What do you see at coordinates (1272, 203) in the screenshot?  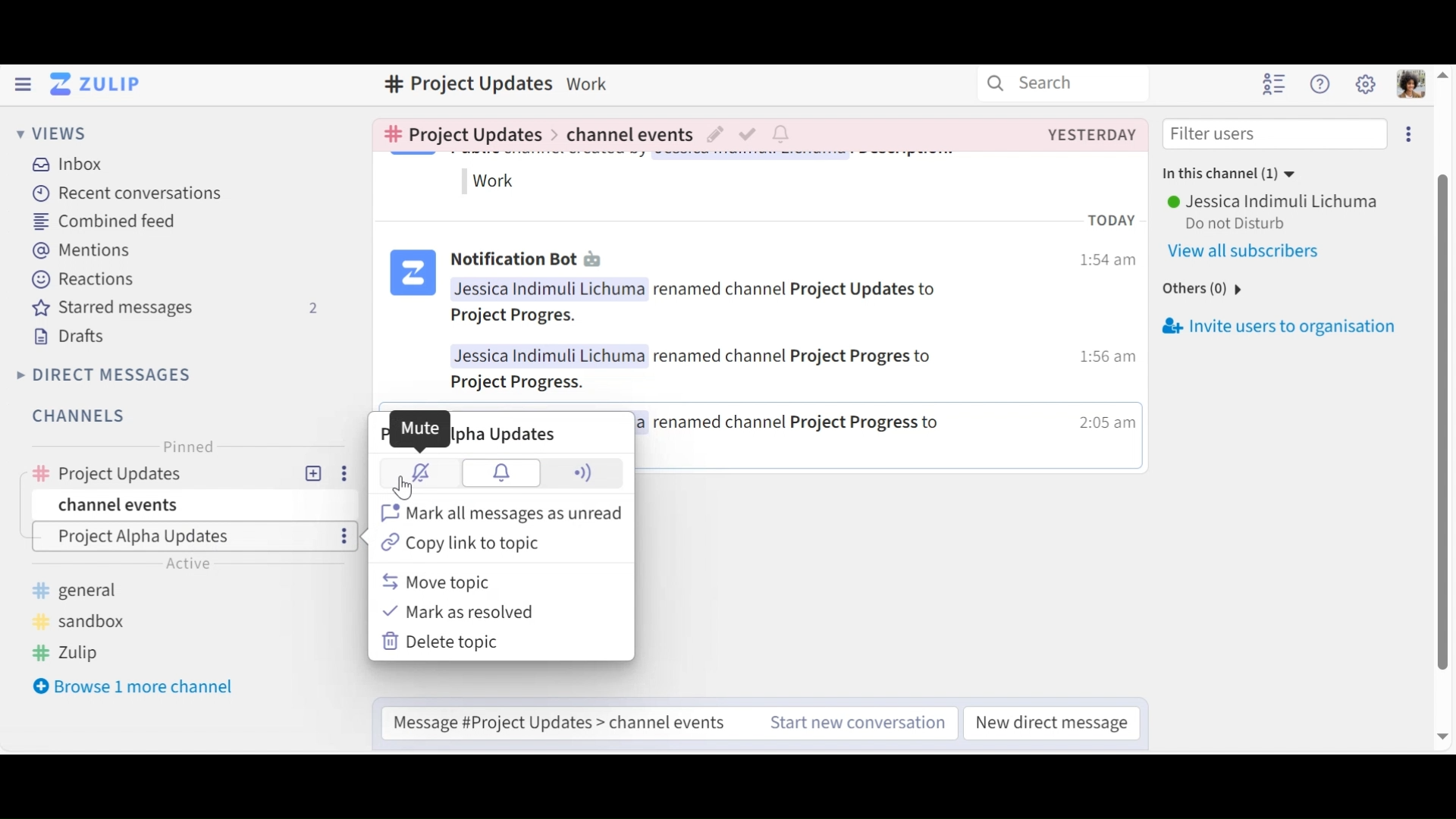 I see `User` at bounding box center [1272, 203].